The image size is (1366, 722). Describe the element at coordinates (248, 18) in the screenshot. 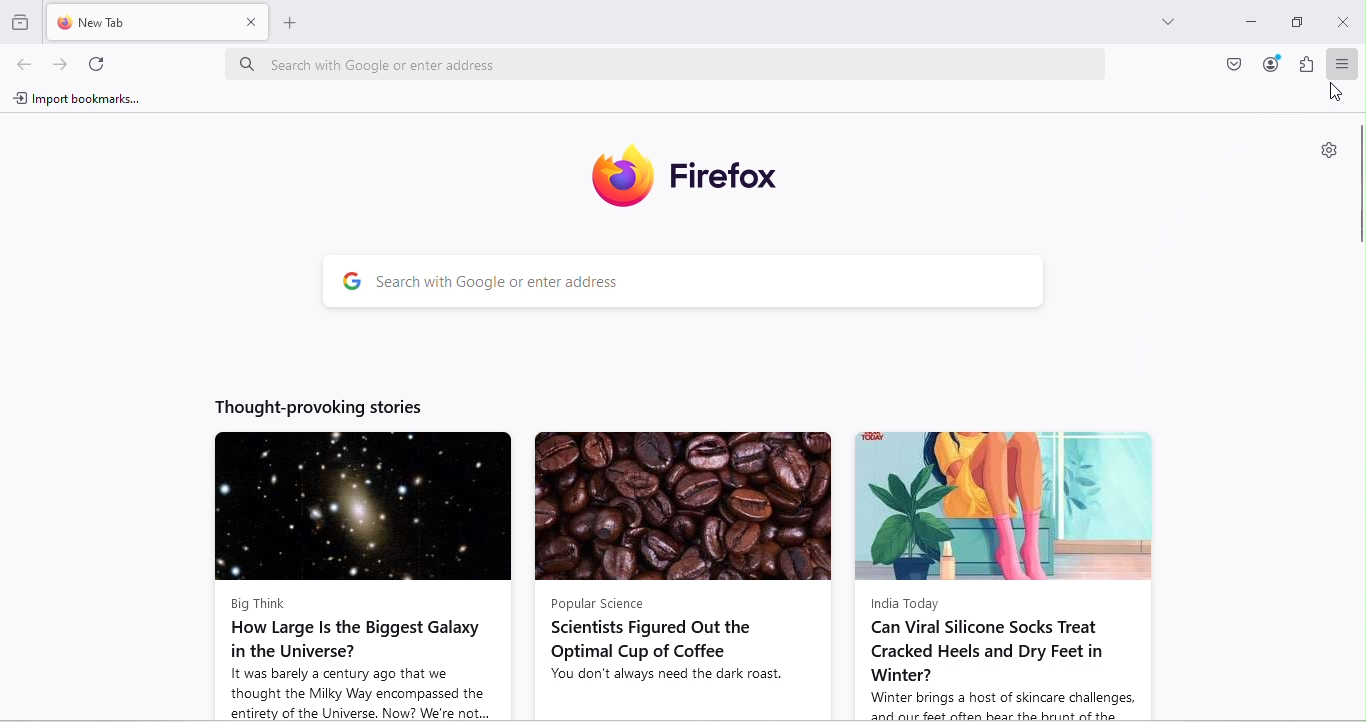

I see `close tab` at that location.